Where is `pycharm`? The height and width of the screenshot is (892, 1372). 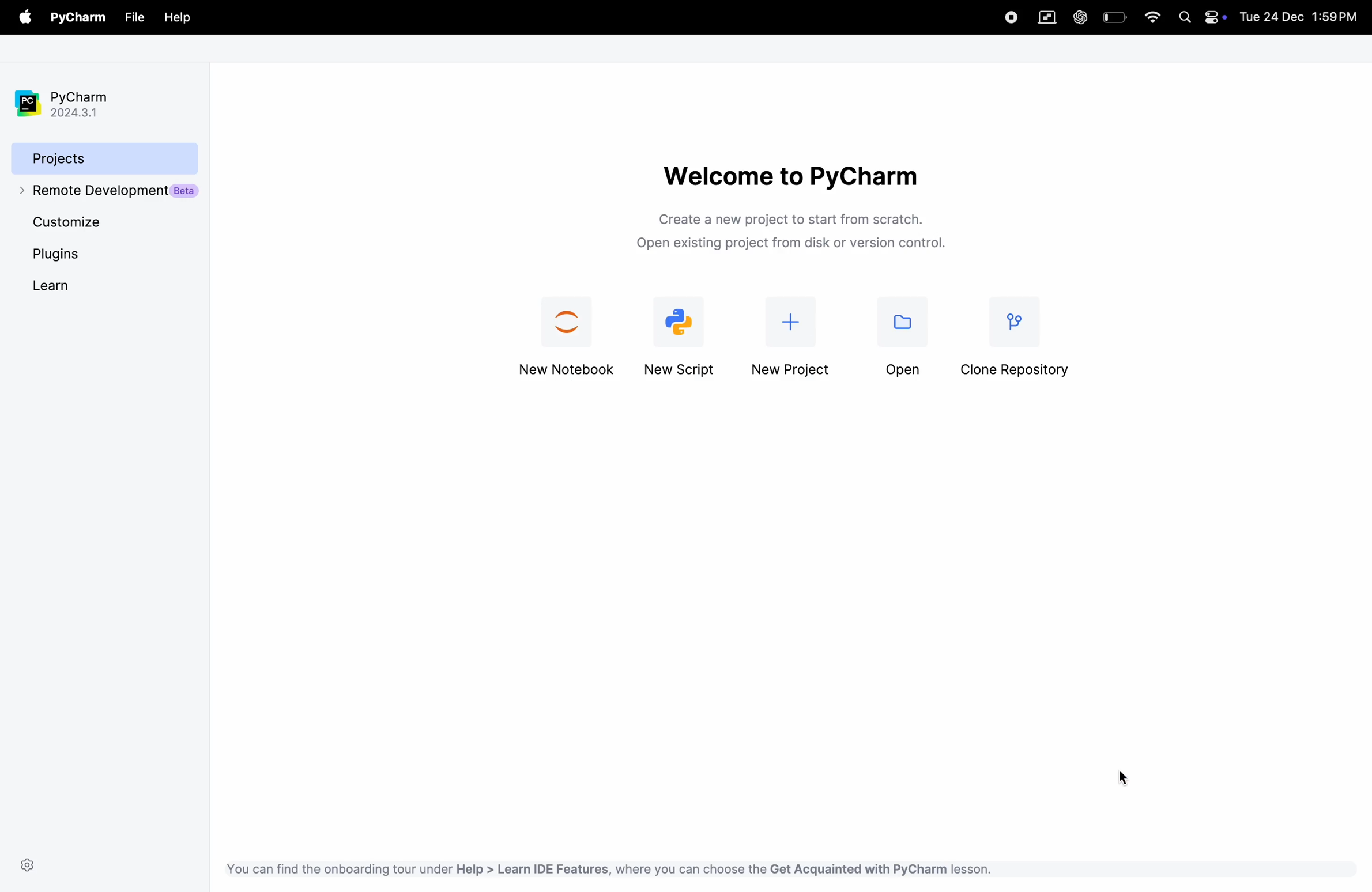 pycharm is located at coordinates (67, 97).